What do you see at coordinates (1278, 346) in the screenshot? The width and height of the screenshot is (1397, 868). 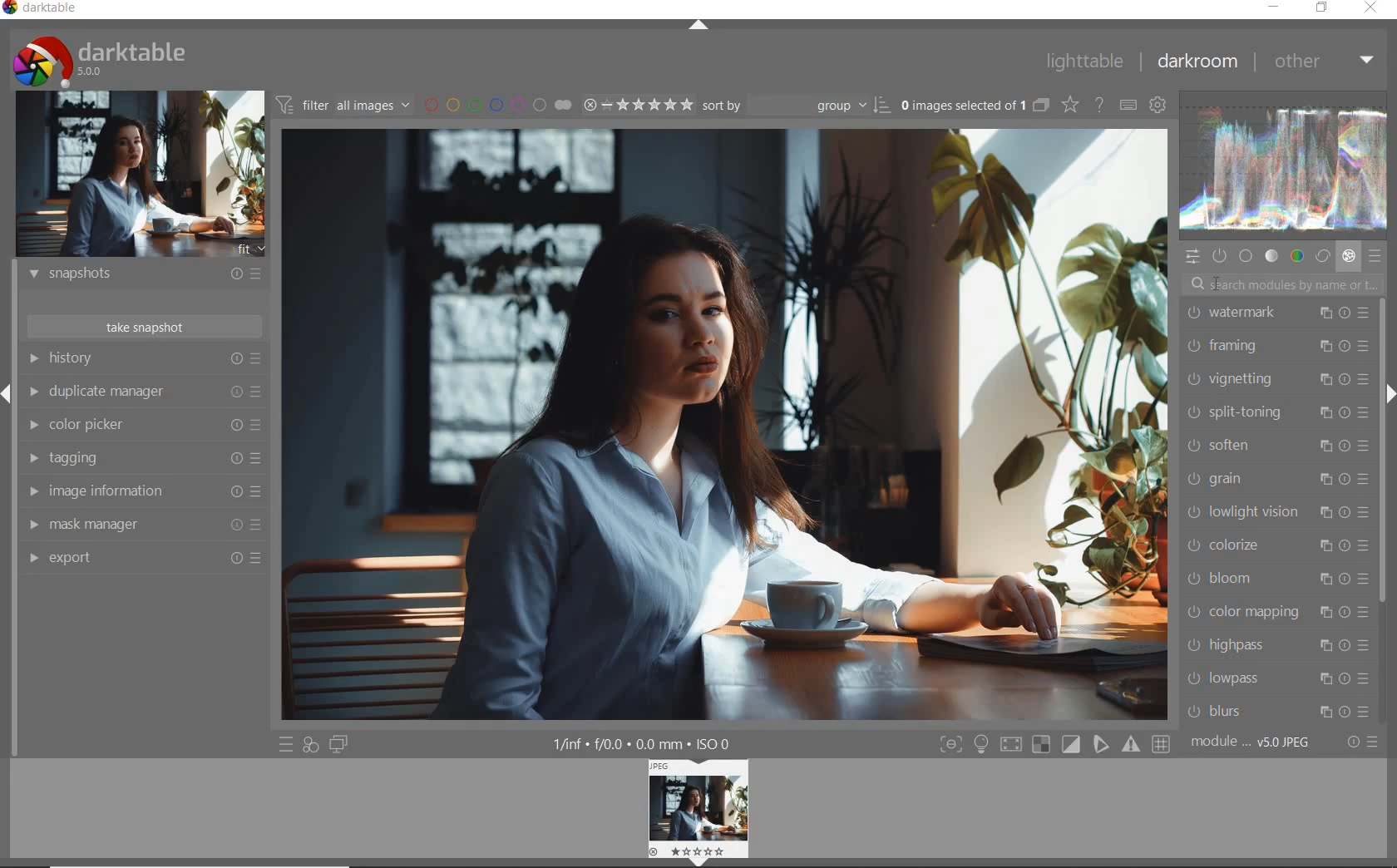 I see `framing` at bounding box center [1278, 346].